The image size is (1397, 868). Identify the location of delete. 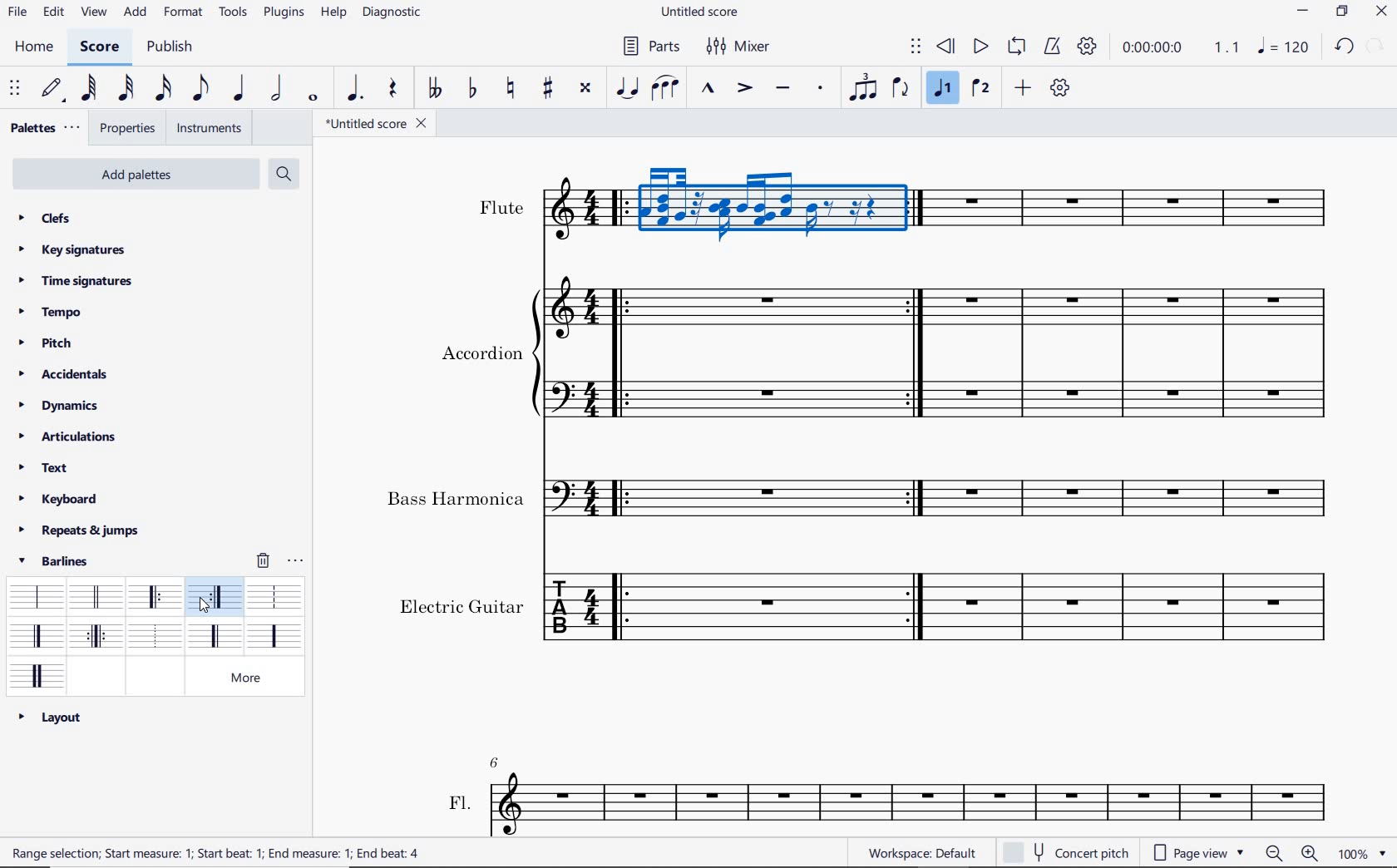
(264, 560).